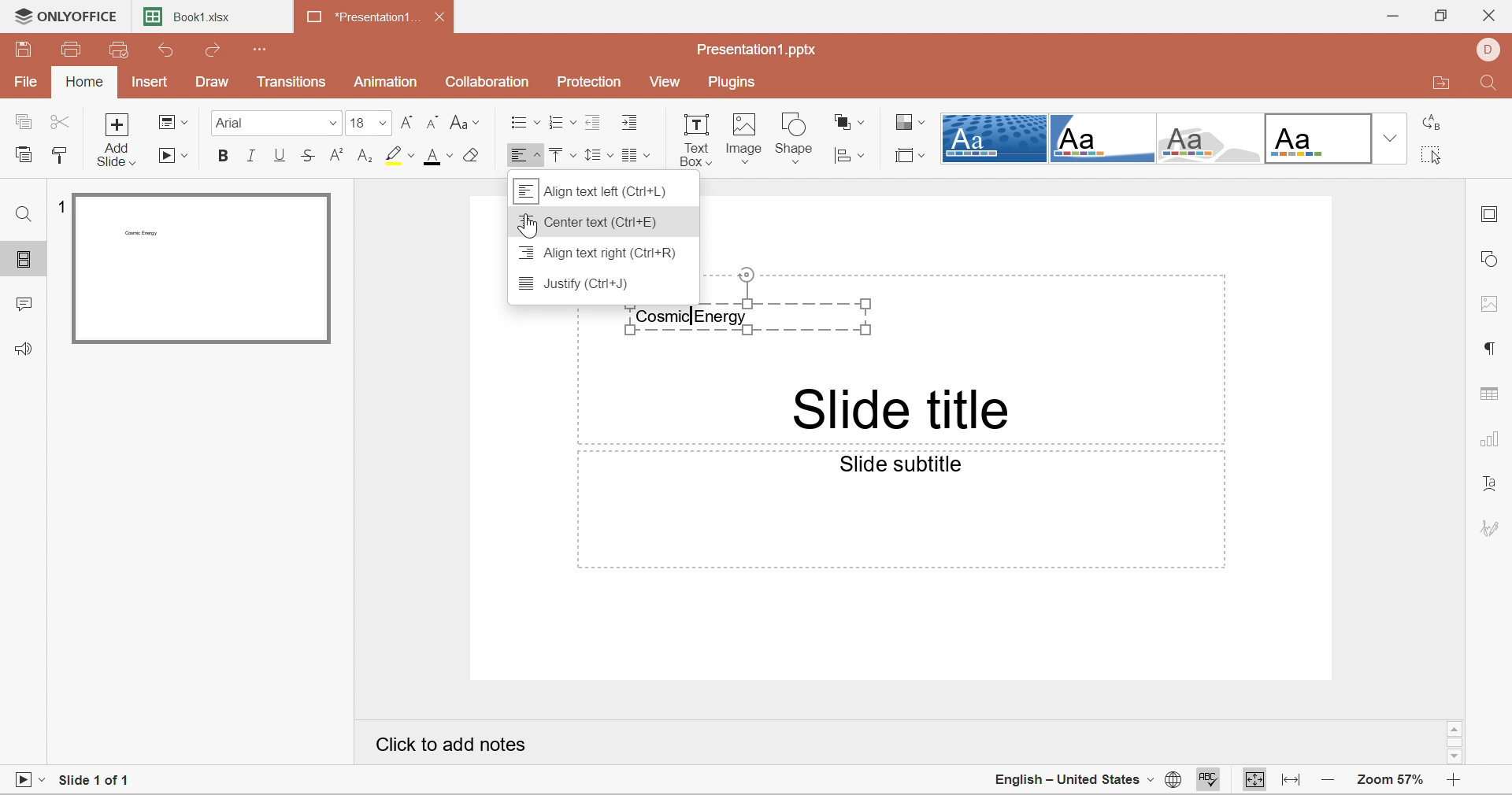 This screenshot has height=795, width=1512. Describe the element at coordinates (1494, 50) in the screenshot. I see `DELL` at that location.